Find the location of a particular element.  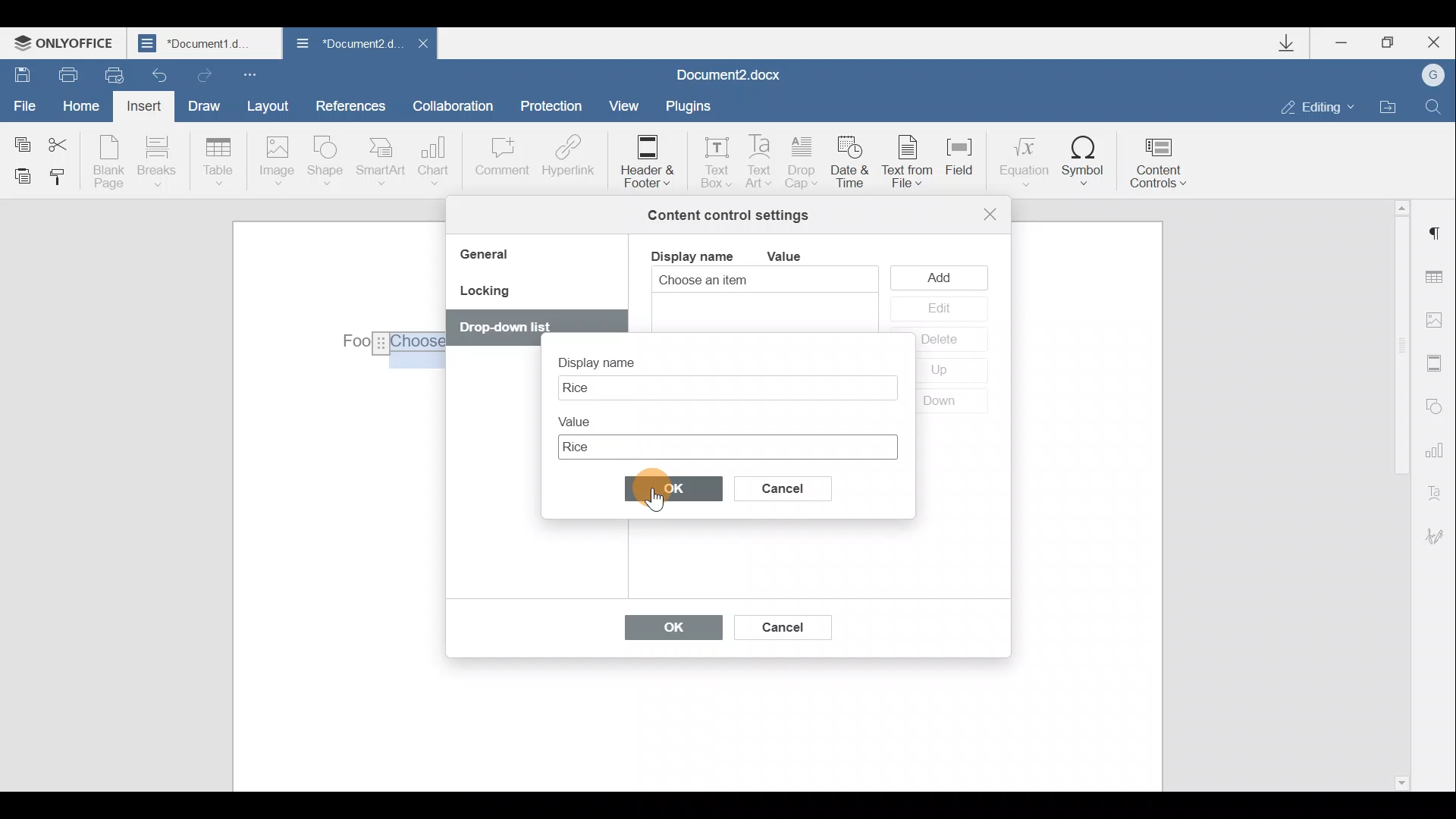

Plugins is located at coordinates (693, 106).